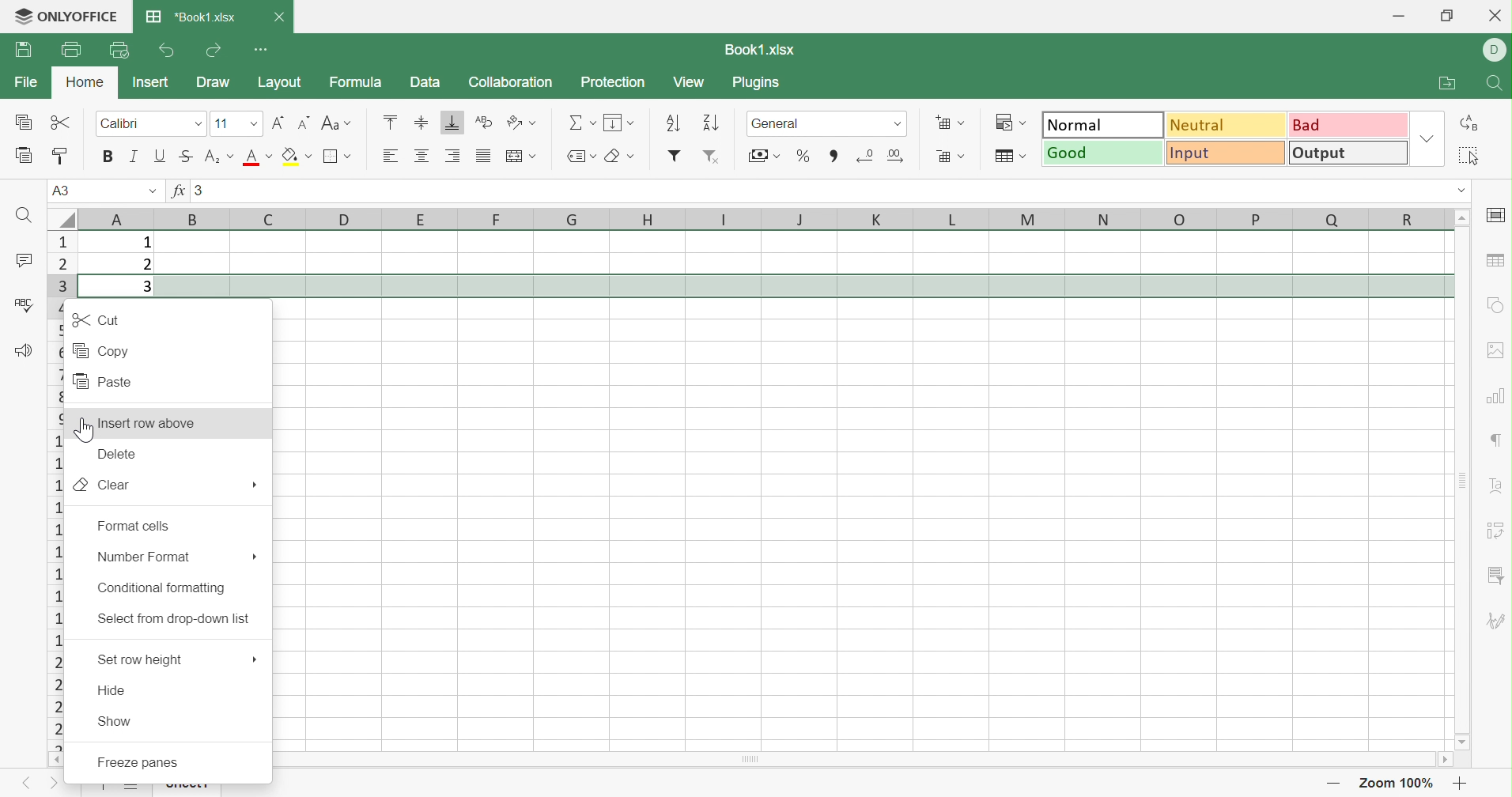  What do you see at coordinates (424, 83) in the screenshot?
I see `Data` at bounding box center [424, 83].